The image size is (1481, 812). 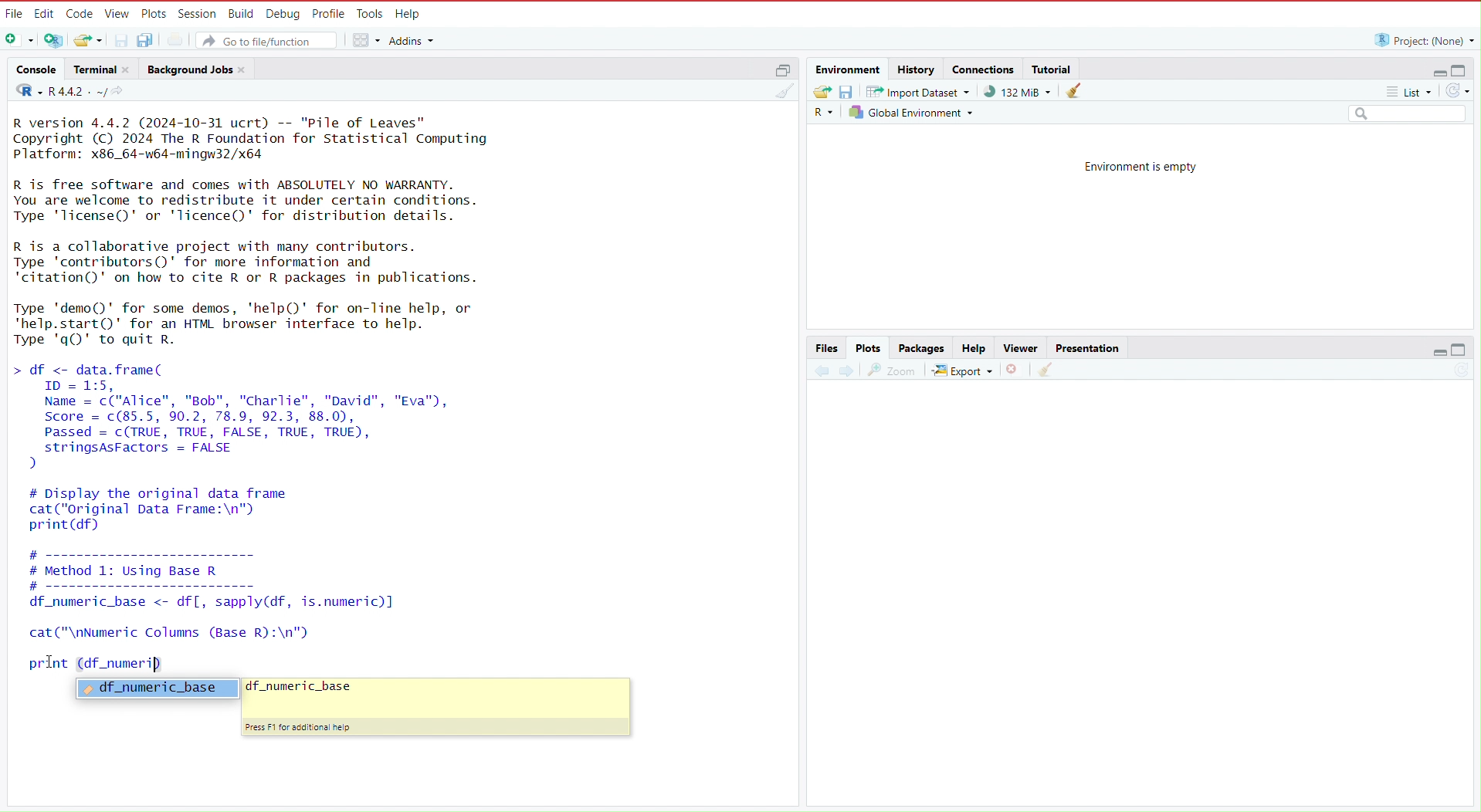 What do you see at coordinates (917, 68) in the screenshot?
I see `history` at bounding box center [917, 68].